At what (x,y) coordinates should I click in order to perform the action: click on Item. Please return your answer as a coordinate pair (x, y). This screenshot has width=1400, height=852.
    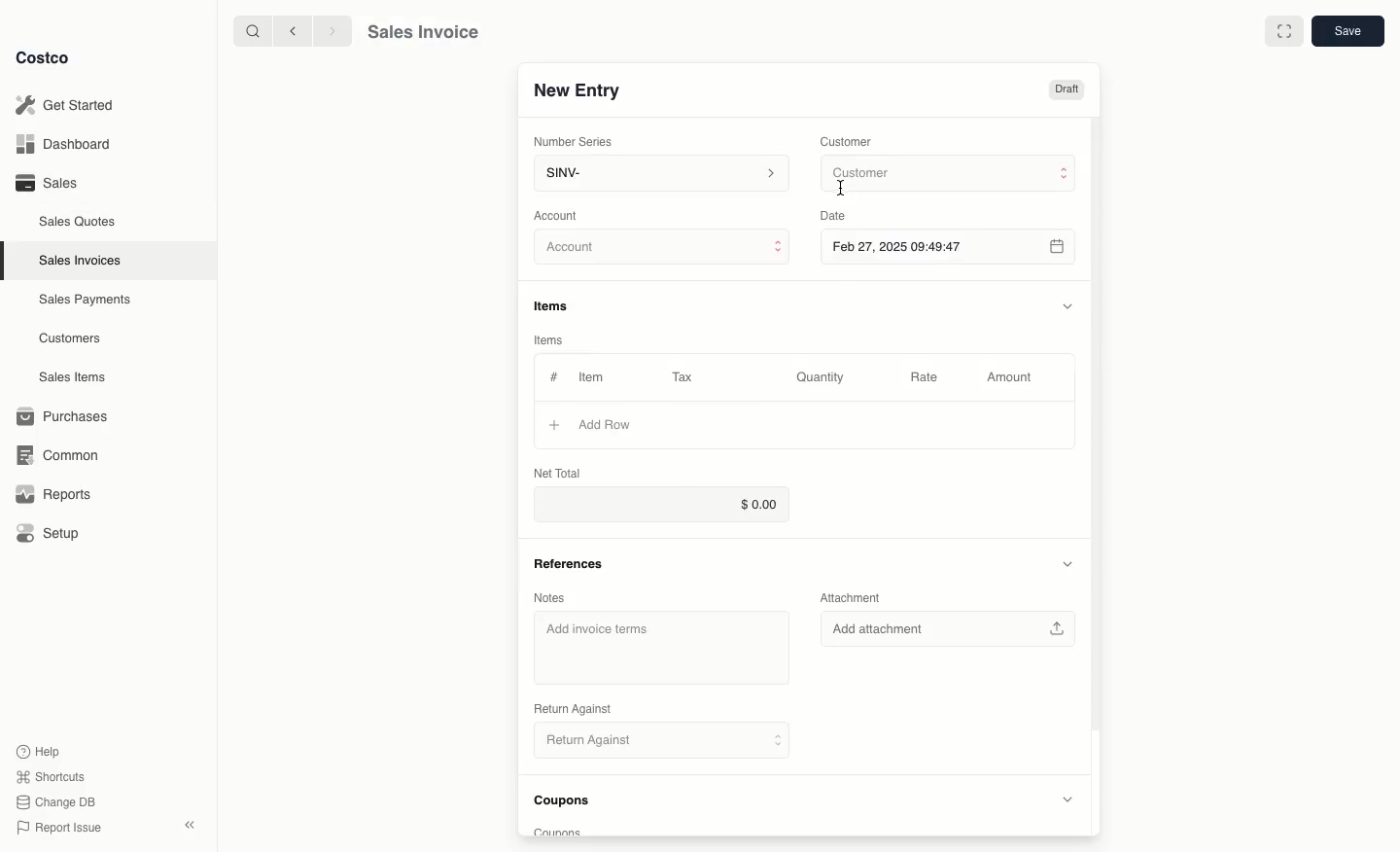
    Looking at the image, I should click on (593, 376).